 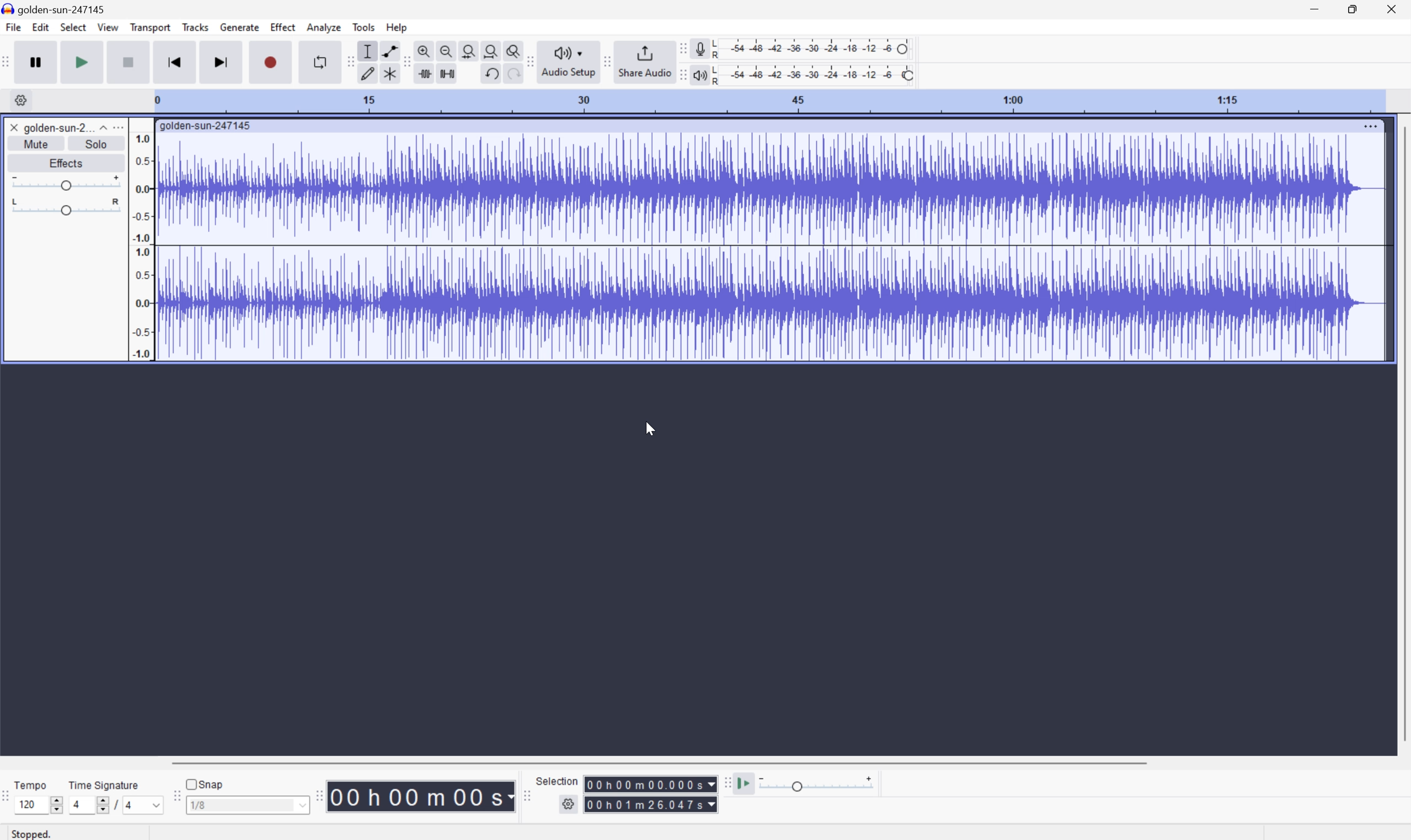 I want to click on Scroll Bar, so click(x=659, y=762).